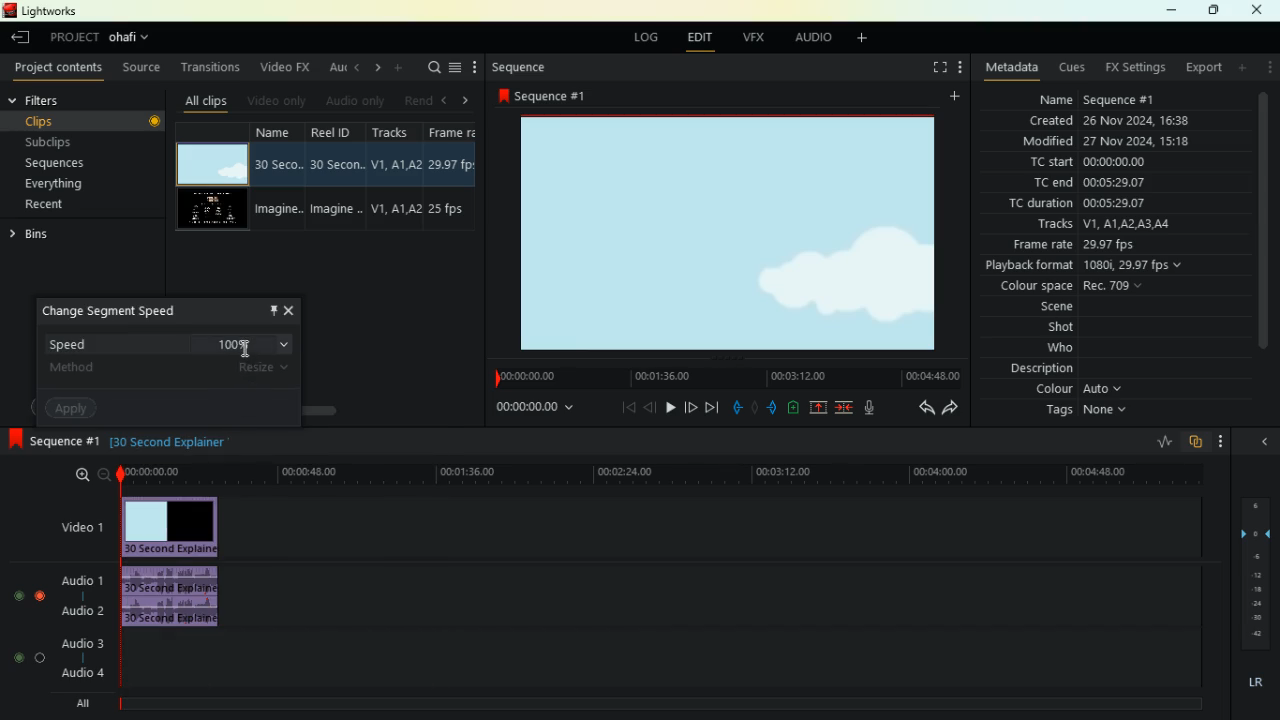 Image resolution: width=1280 pixels, height=720 pixels. What do you see at coordinates (446, 100) in the screenshot?
I see `left` at bounding box center [446, 100].